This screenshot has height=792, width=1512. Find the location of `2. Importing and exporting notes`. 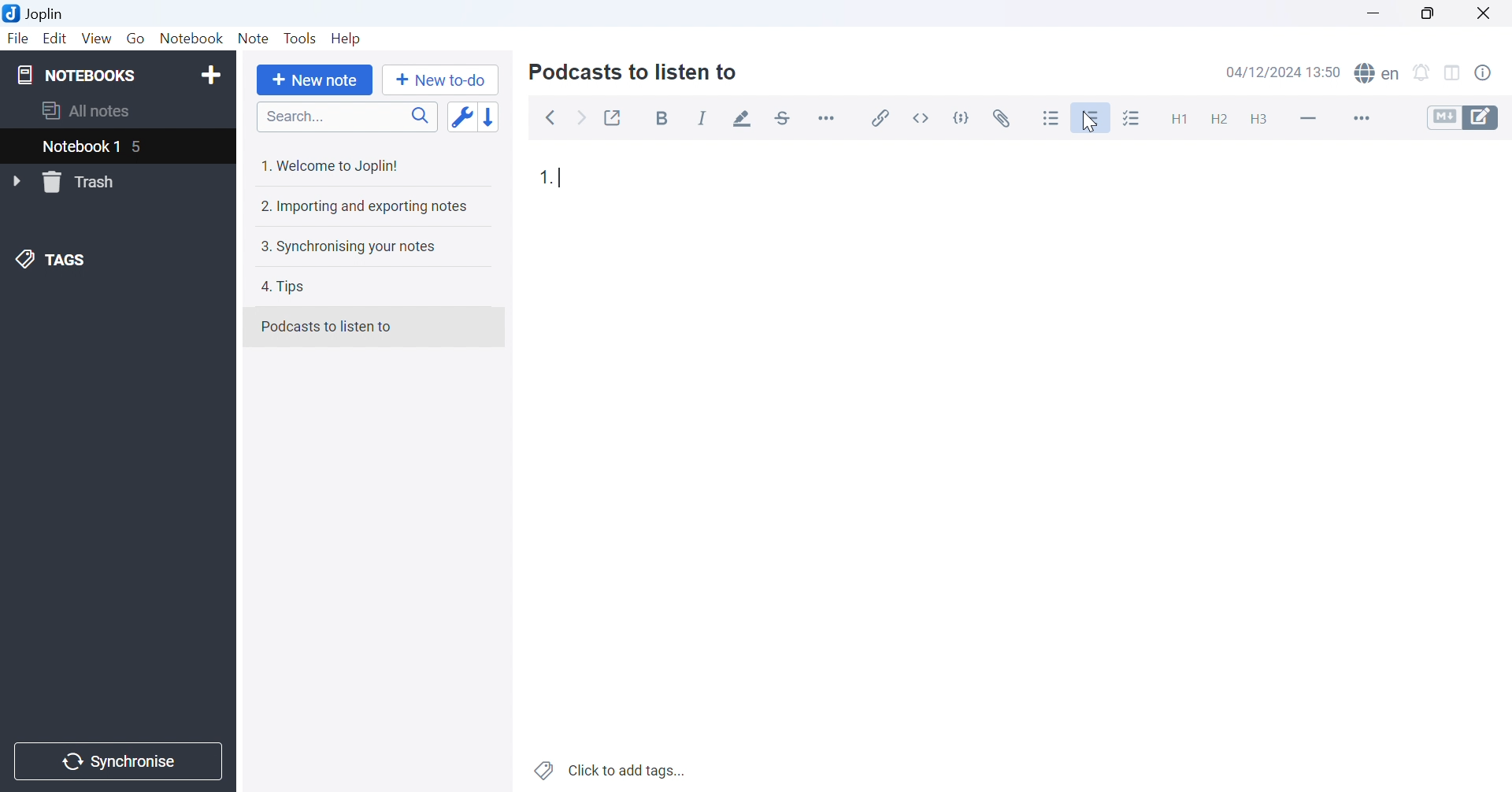

2. Importing and exporting notes is located at coordinates (365, 208).